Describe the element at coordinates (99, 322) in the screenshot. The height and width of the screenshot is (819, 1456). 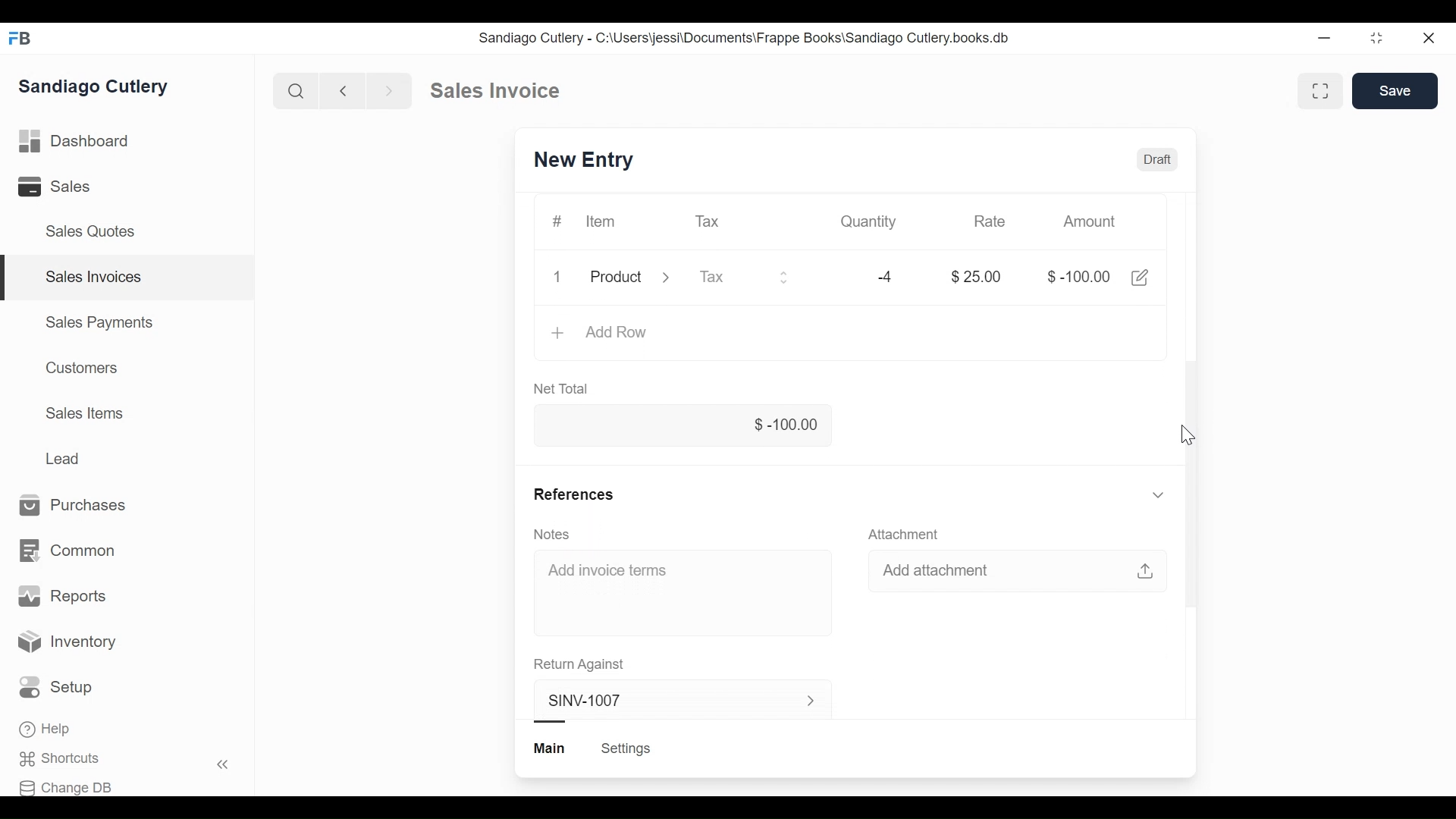
I see `Sales Payments` at that location.